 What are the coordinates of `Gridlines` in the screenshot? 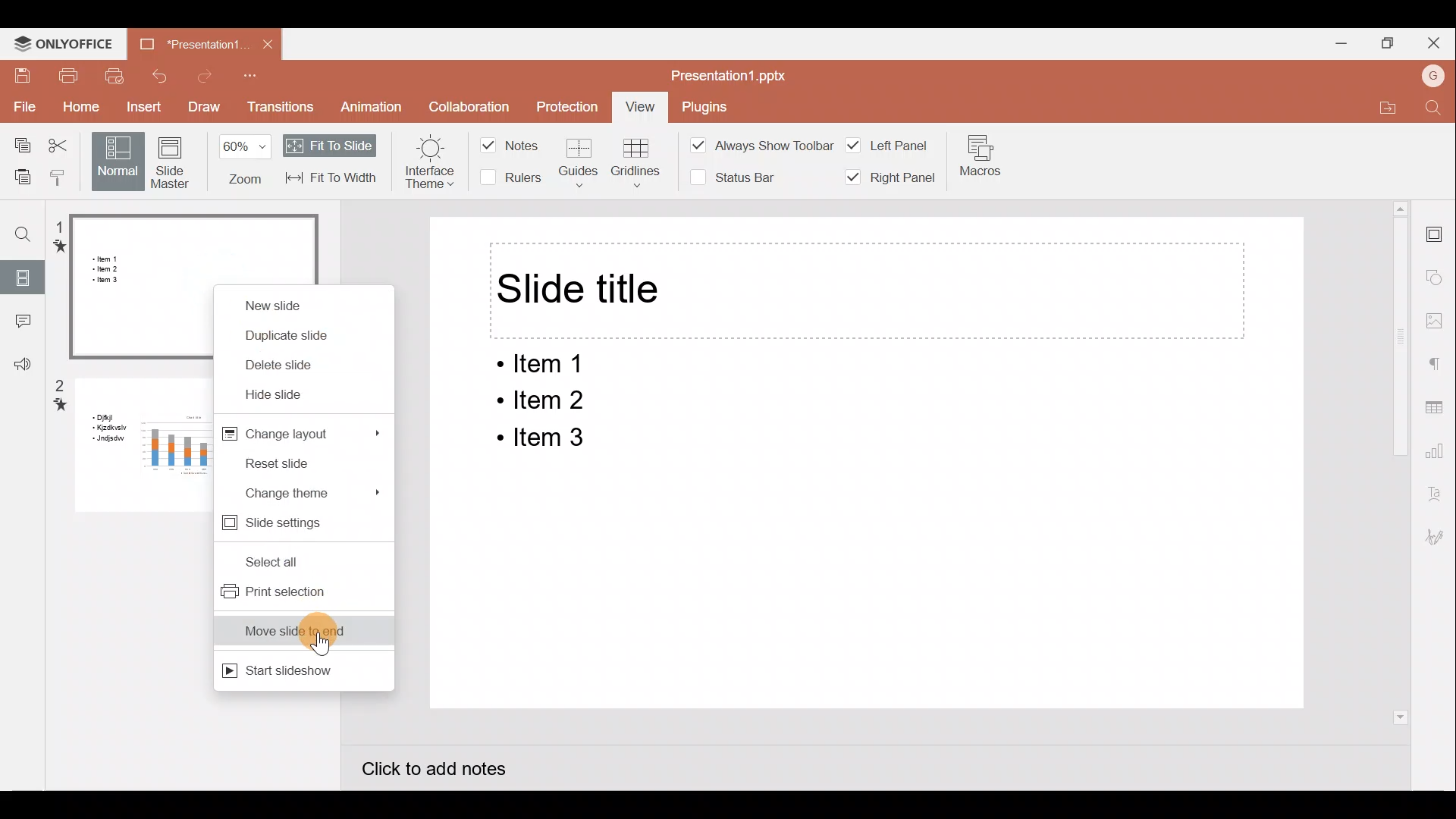 It's located at (639, 159).